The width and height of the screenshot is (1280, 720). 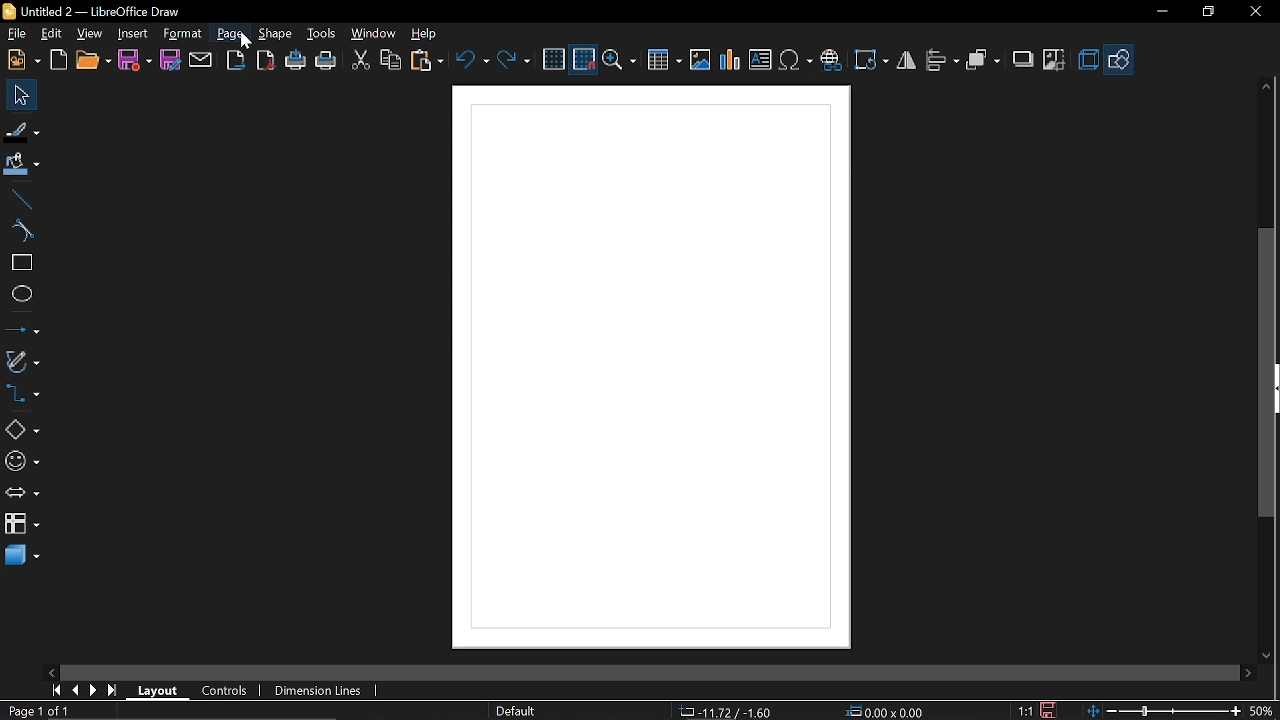 I want to click on Move up, so click(x=1269, y=86).